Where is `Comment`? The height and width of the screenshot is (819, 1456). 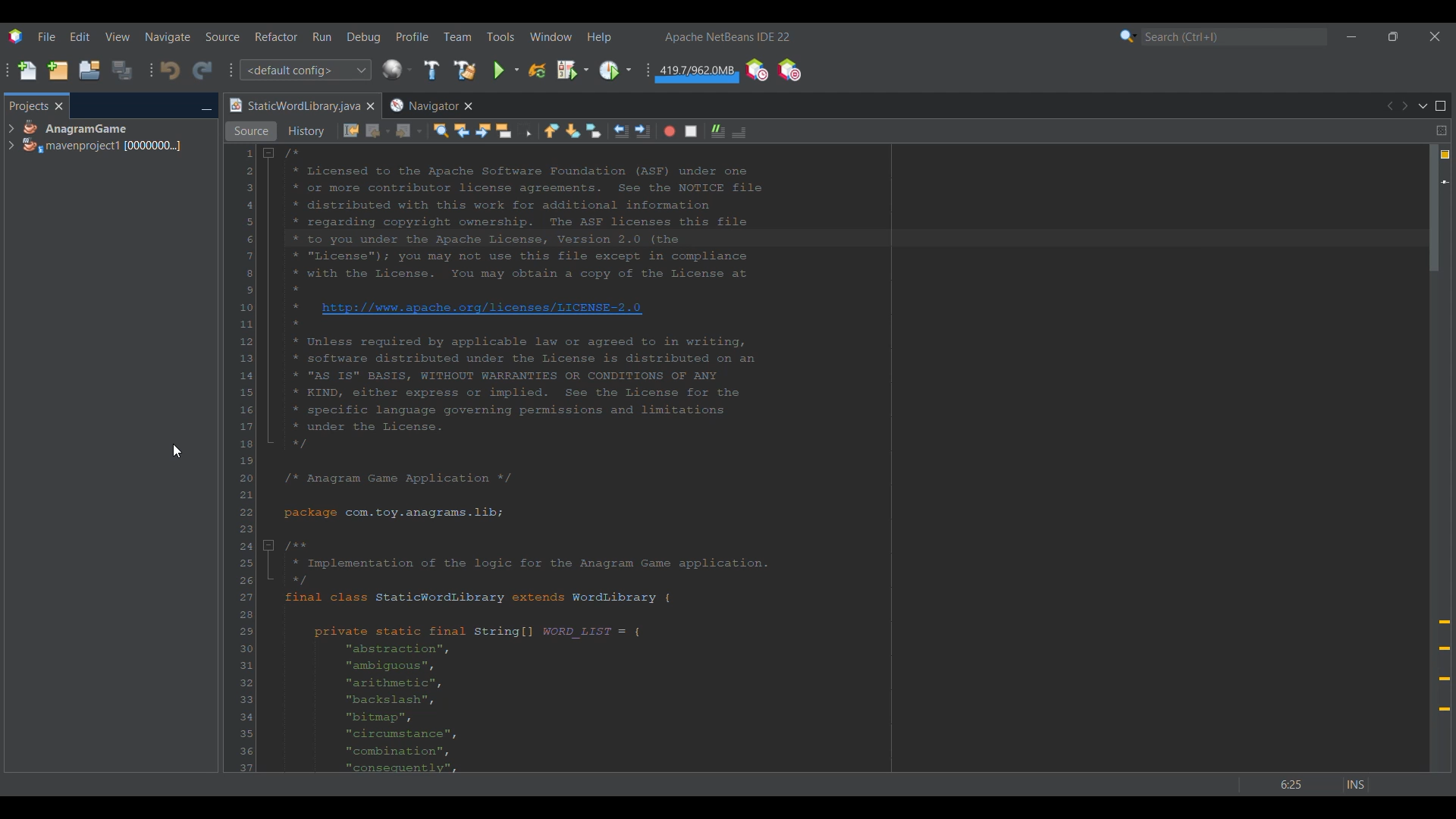
Comment is located at coordinates (739, 132).